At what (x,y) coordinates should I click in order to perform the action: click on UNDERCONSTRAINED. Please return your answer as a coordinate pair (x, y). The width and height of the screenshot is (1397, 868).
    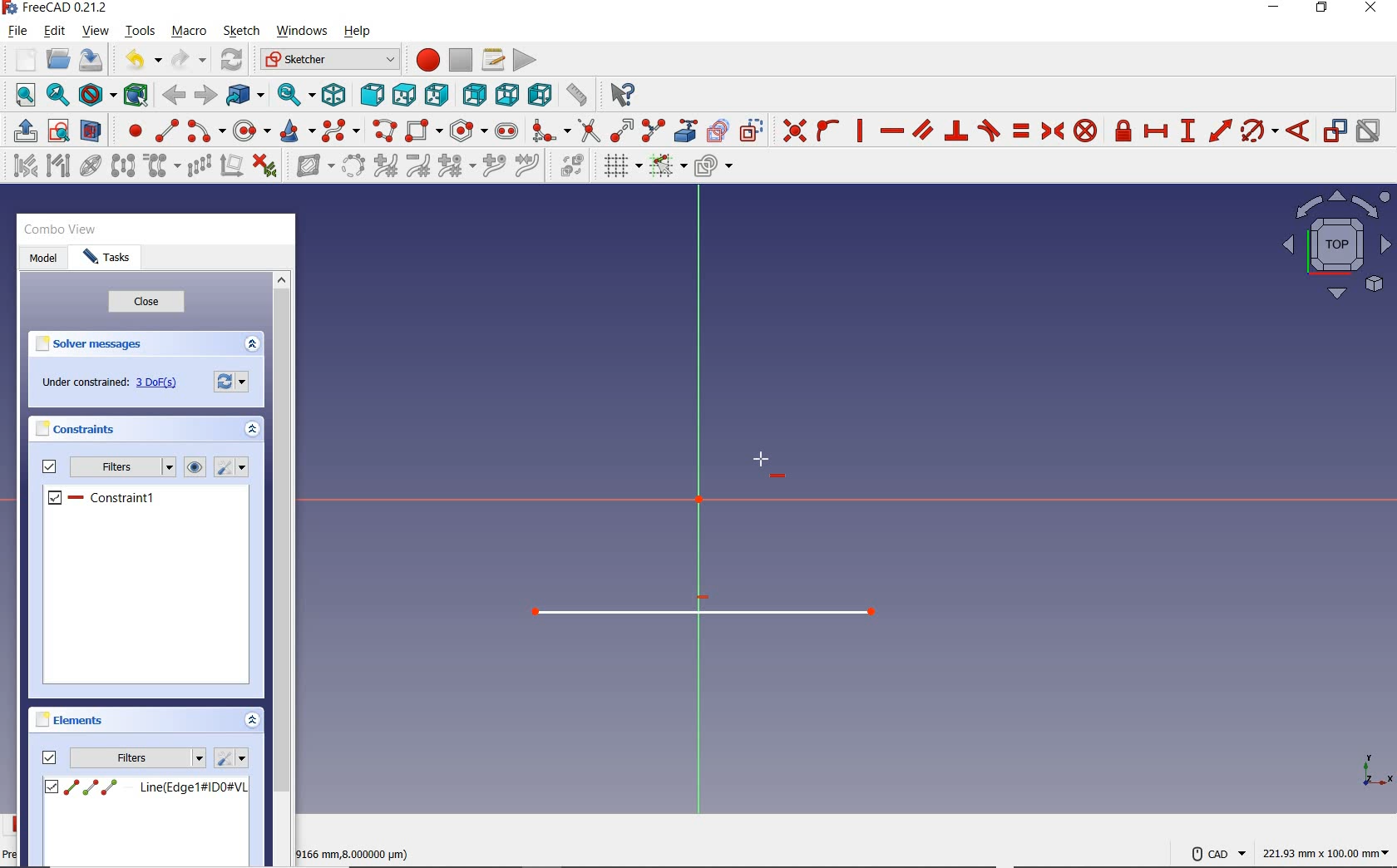
    Looking at the image, I should click on (107, 384).